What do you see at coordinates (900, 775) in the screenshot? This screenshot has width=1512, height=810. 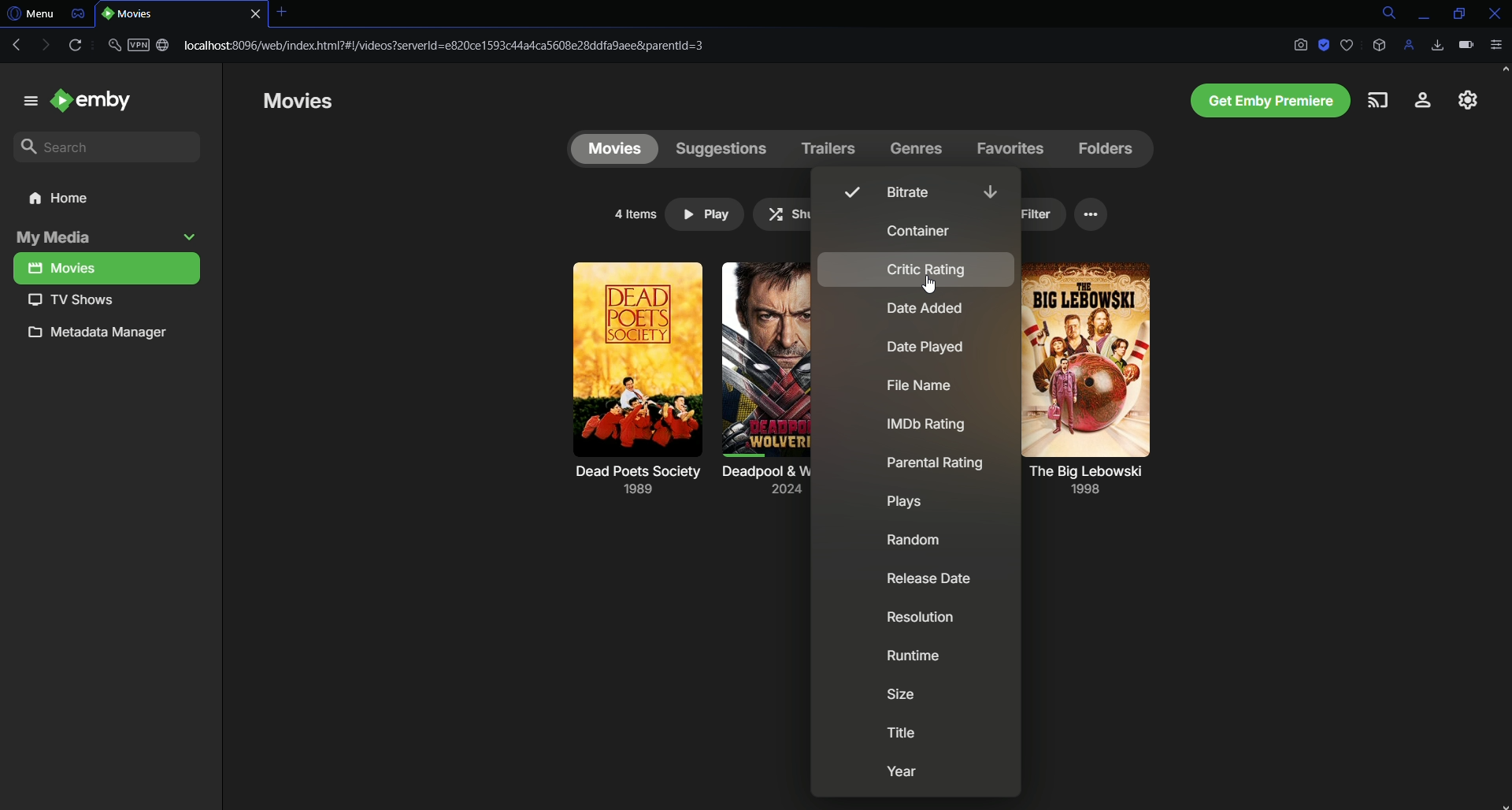 I see `Year` at bounding box center [900, 775].